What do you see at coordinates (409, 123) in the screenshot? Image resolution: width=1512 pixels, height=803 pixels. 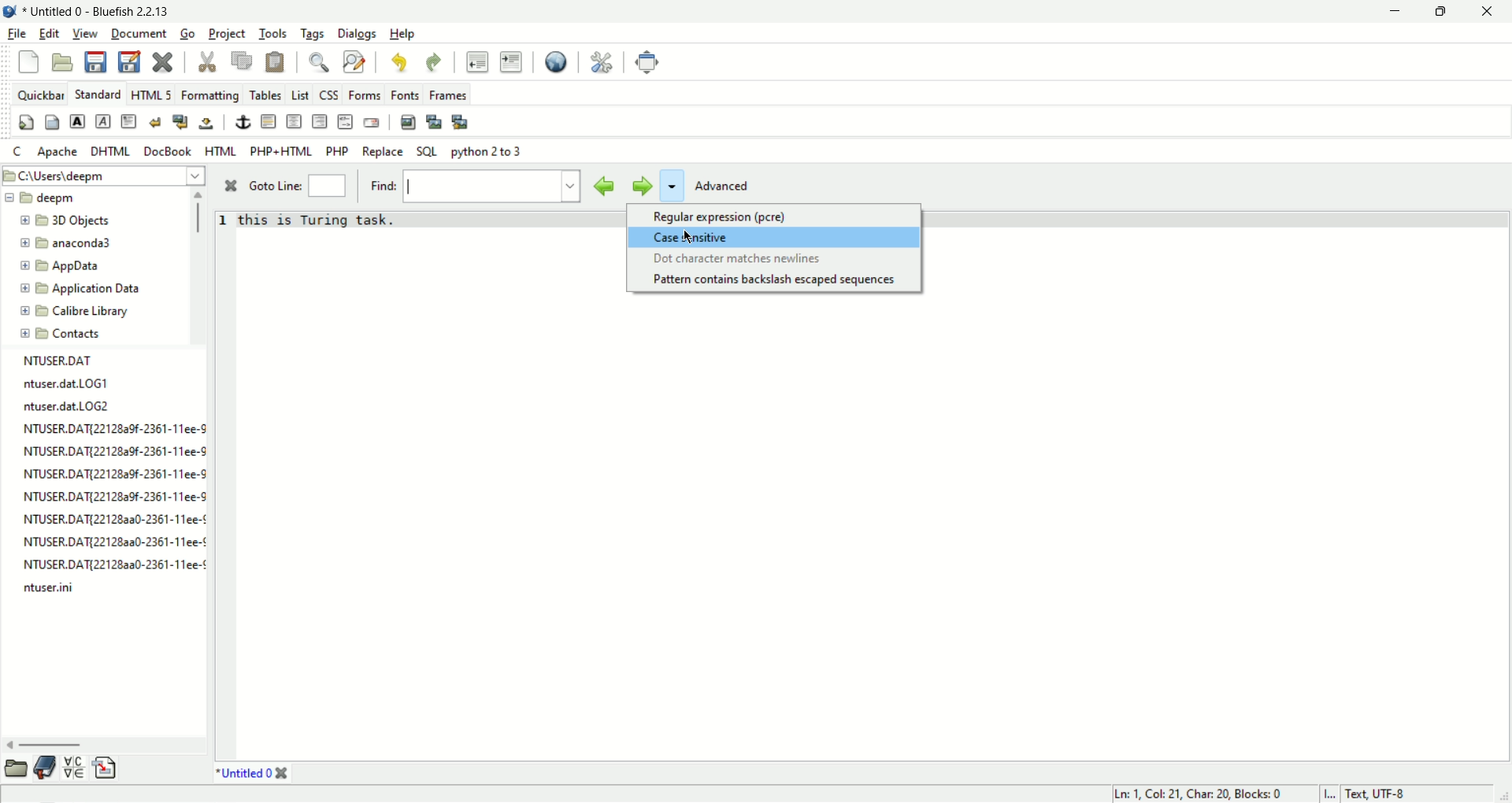 I see `insert image` at bounding box center [409, 123].